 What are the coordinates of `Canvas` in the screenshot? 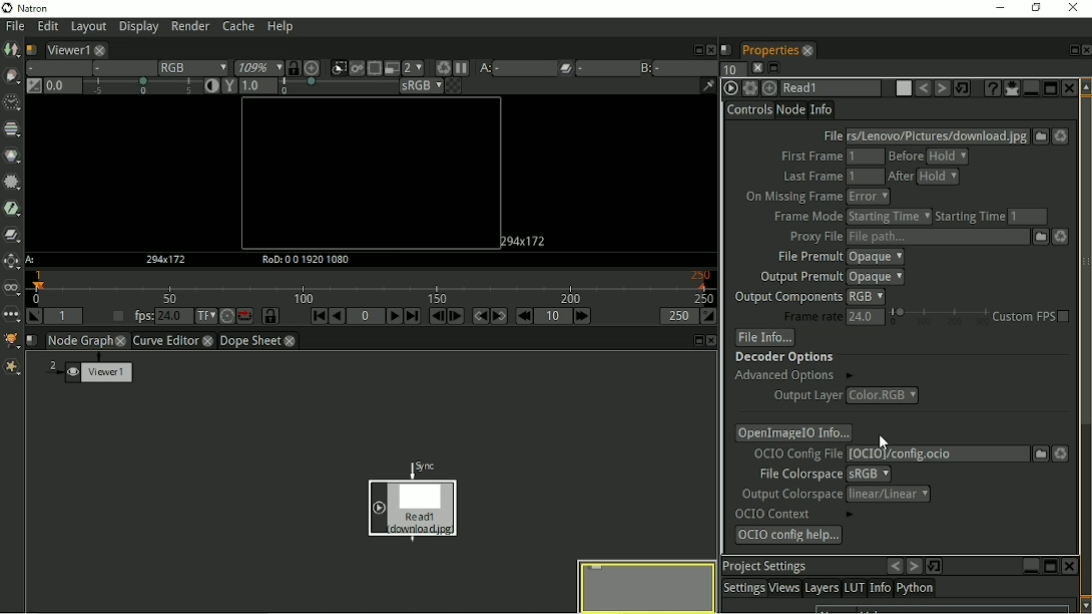 It's located at (367, 174).